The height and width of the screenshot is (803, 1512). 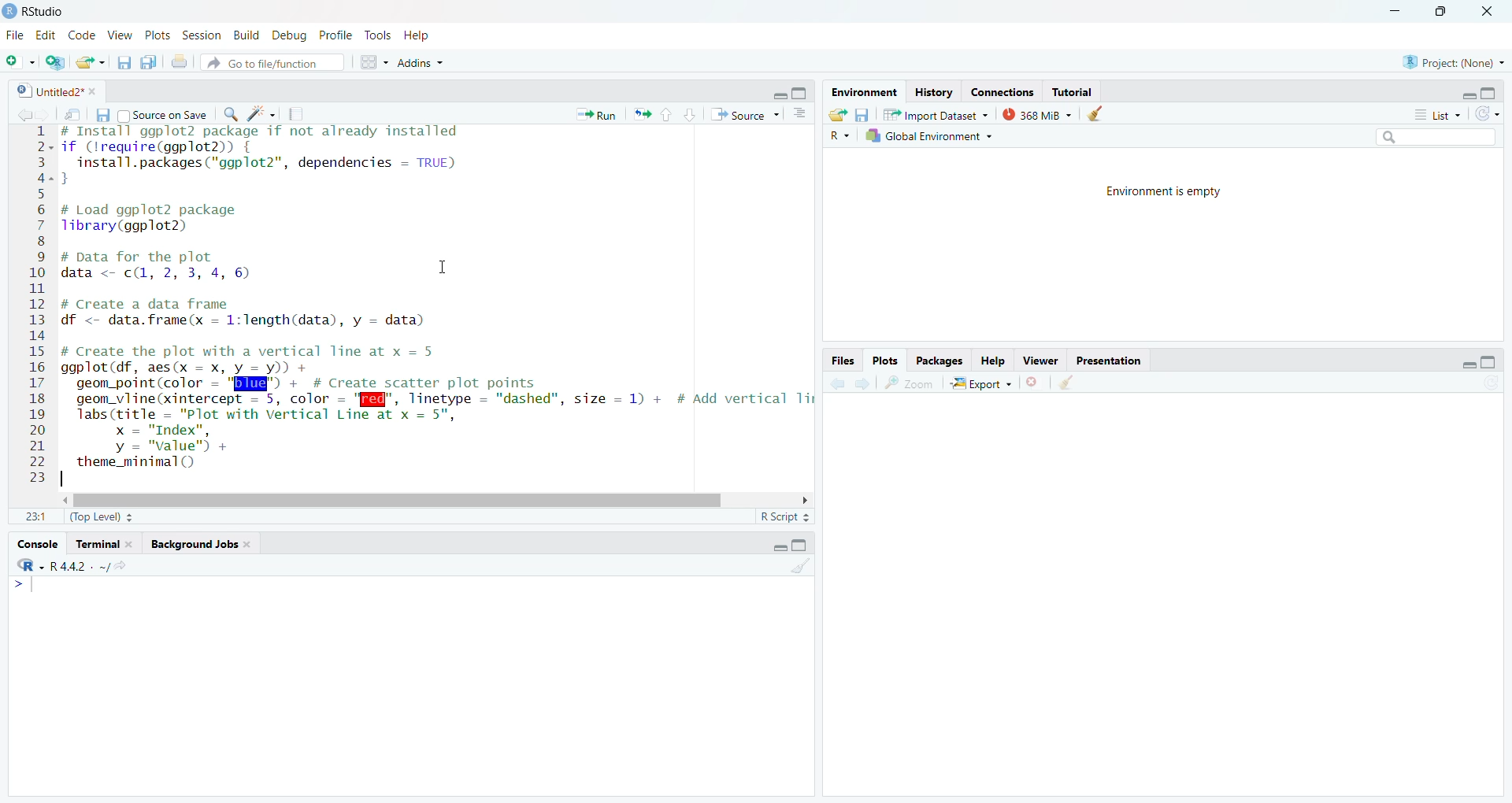 What do you see at coordinates (106, 115) in the screenshot?
I see `files` at bounding box center [106, 115].